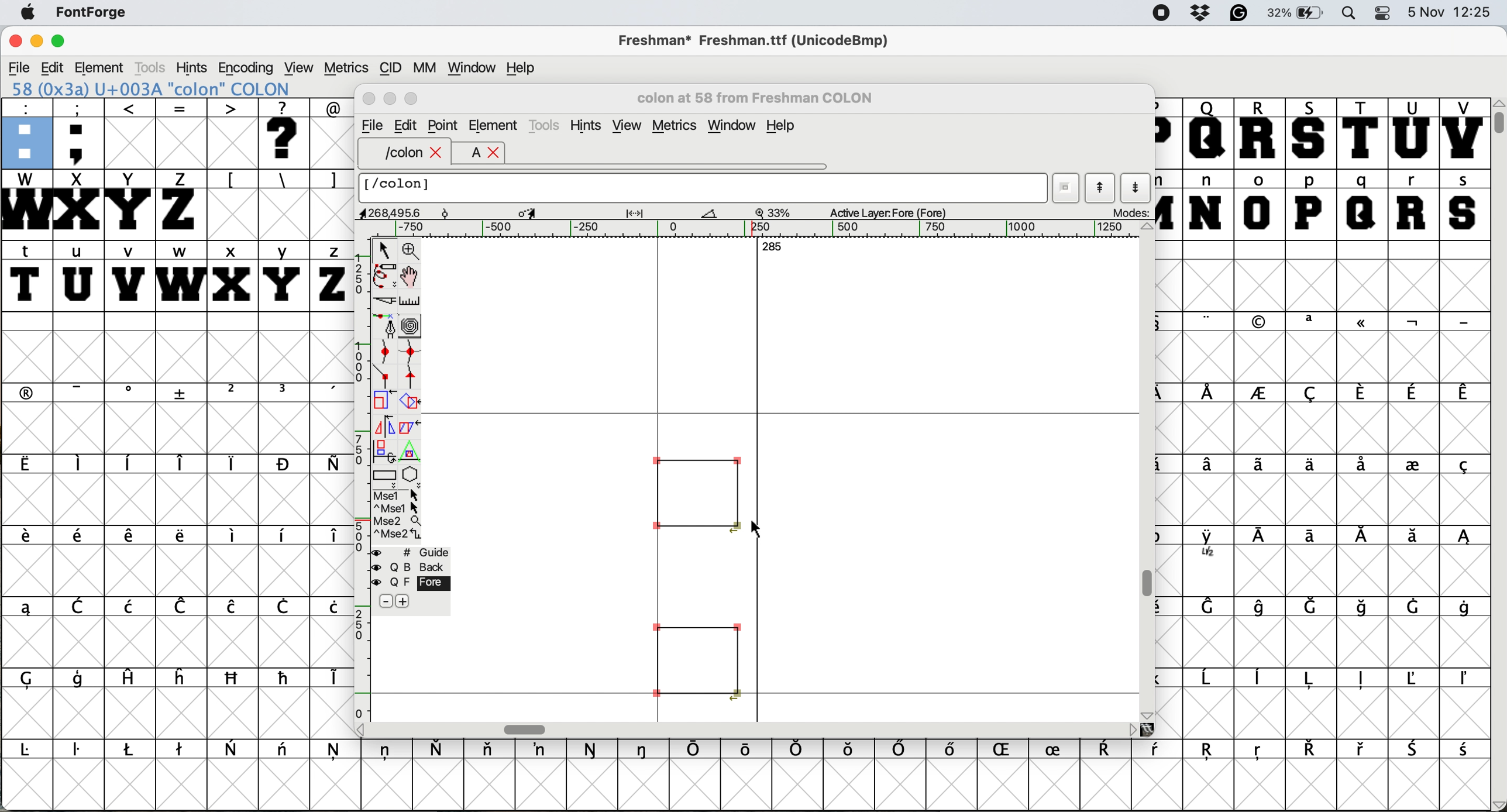 The width and height of the screenshot is (1507, 812). Describe the element at coordinates (696, 750) in the screenshot. I see `symbol` at that location.